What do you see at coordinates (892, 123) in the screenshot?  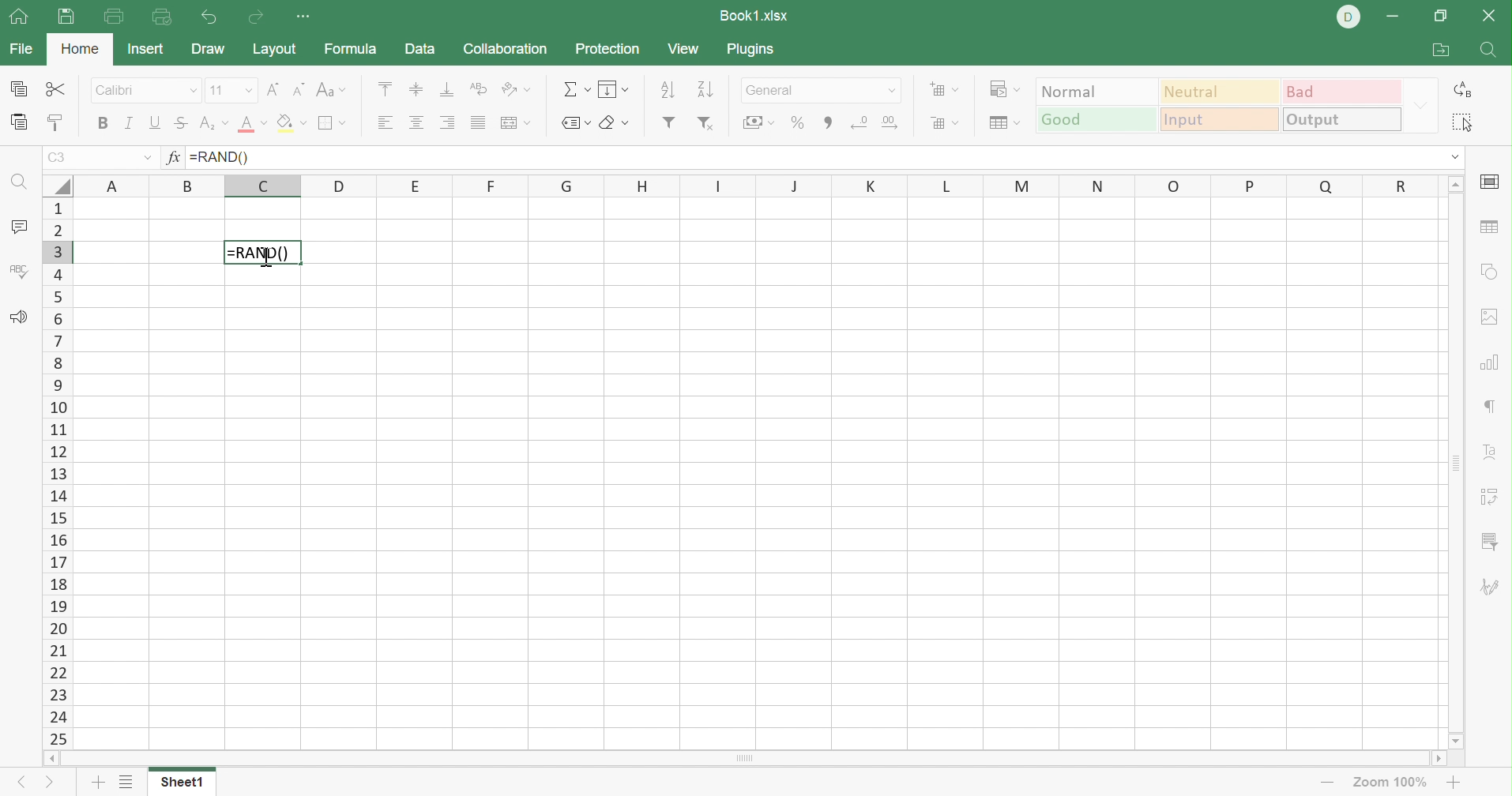 I see `Increase decimal` at bounding box center [892, 123].